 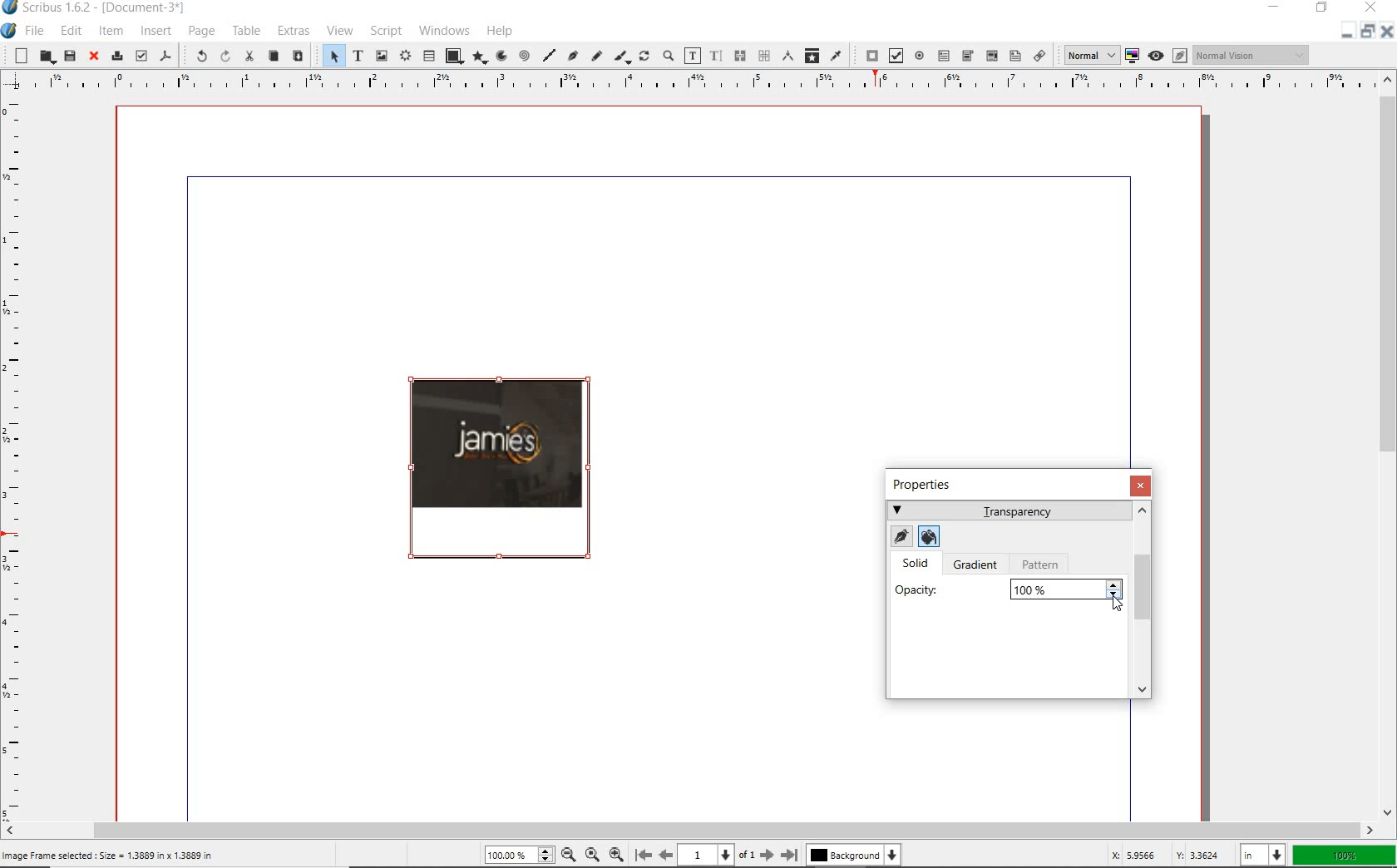 What do you see at coordinates (523, 57) in the screenshot?
I see `spiral` at bounding box center [523, 57].